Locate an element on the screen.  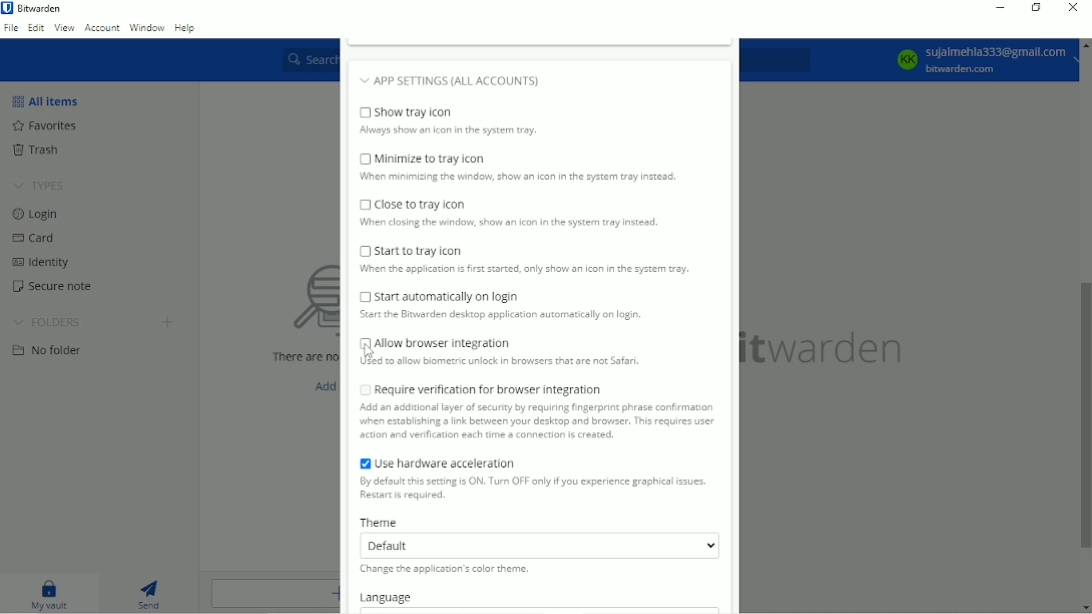
No folder is located at coordinates (49, 349).